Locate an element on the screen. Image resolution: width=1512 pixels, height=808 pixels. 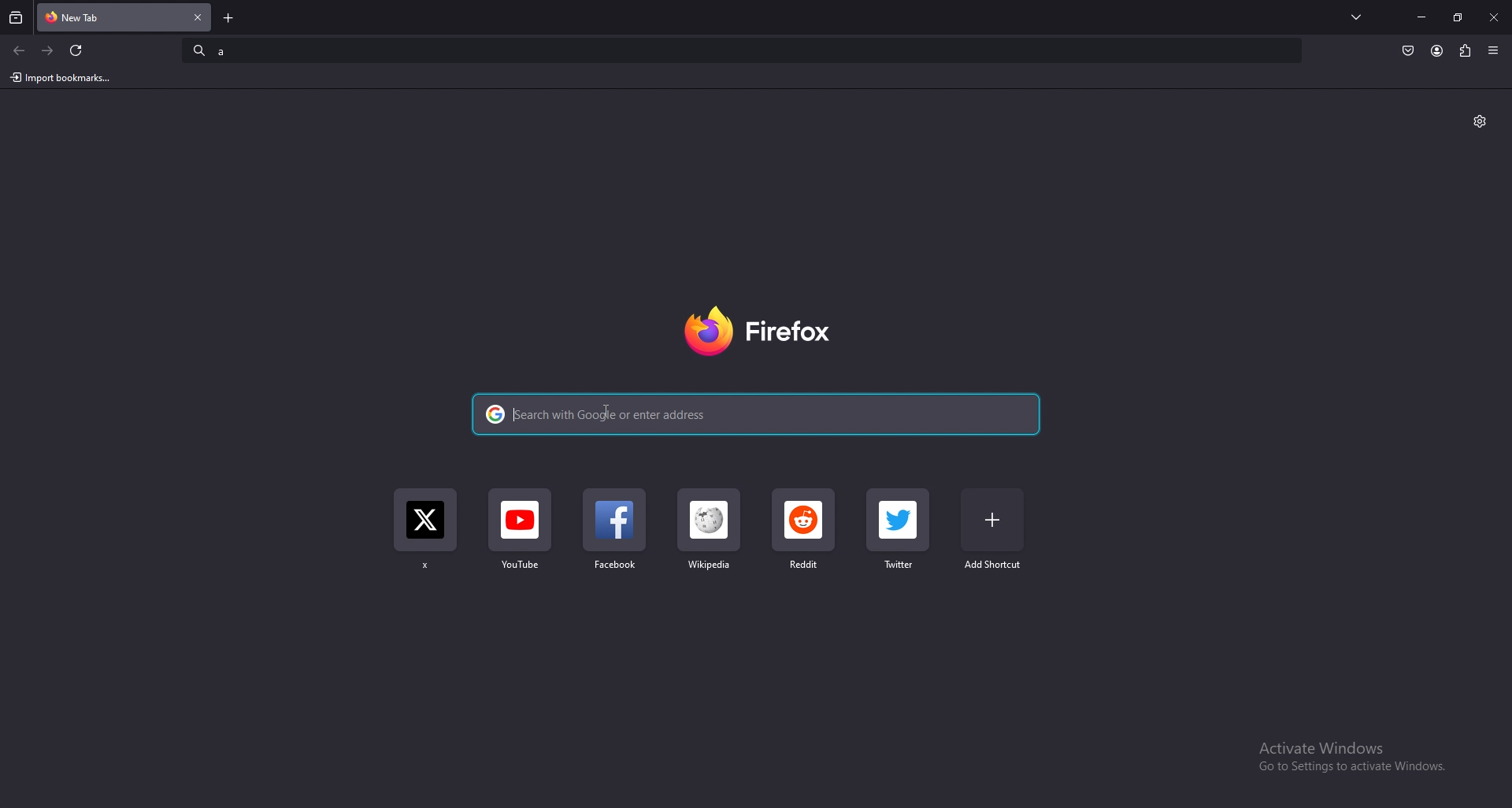
tab is located at coordinates (93, 16).